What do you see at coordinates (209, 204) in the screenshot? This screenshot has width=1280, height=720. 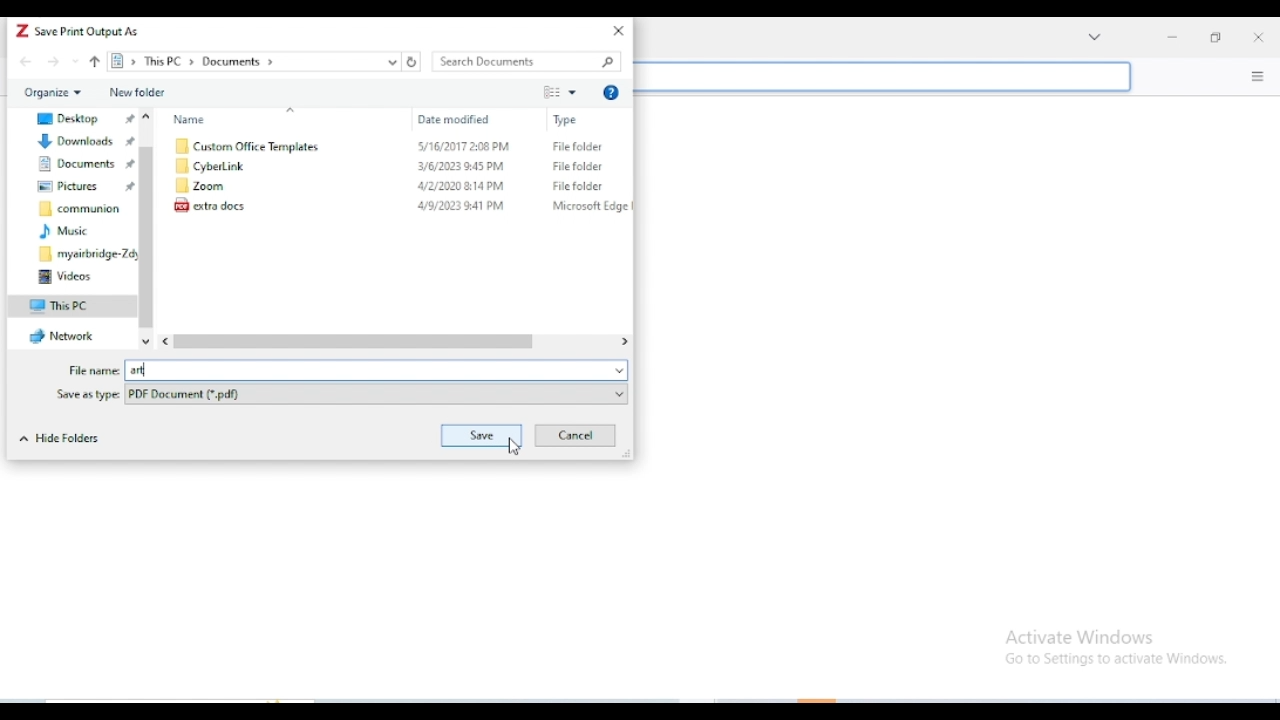 I see `extra docs document` at bounding box center [209, 204].